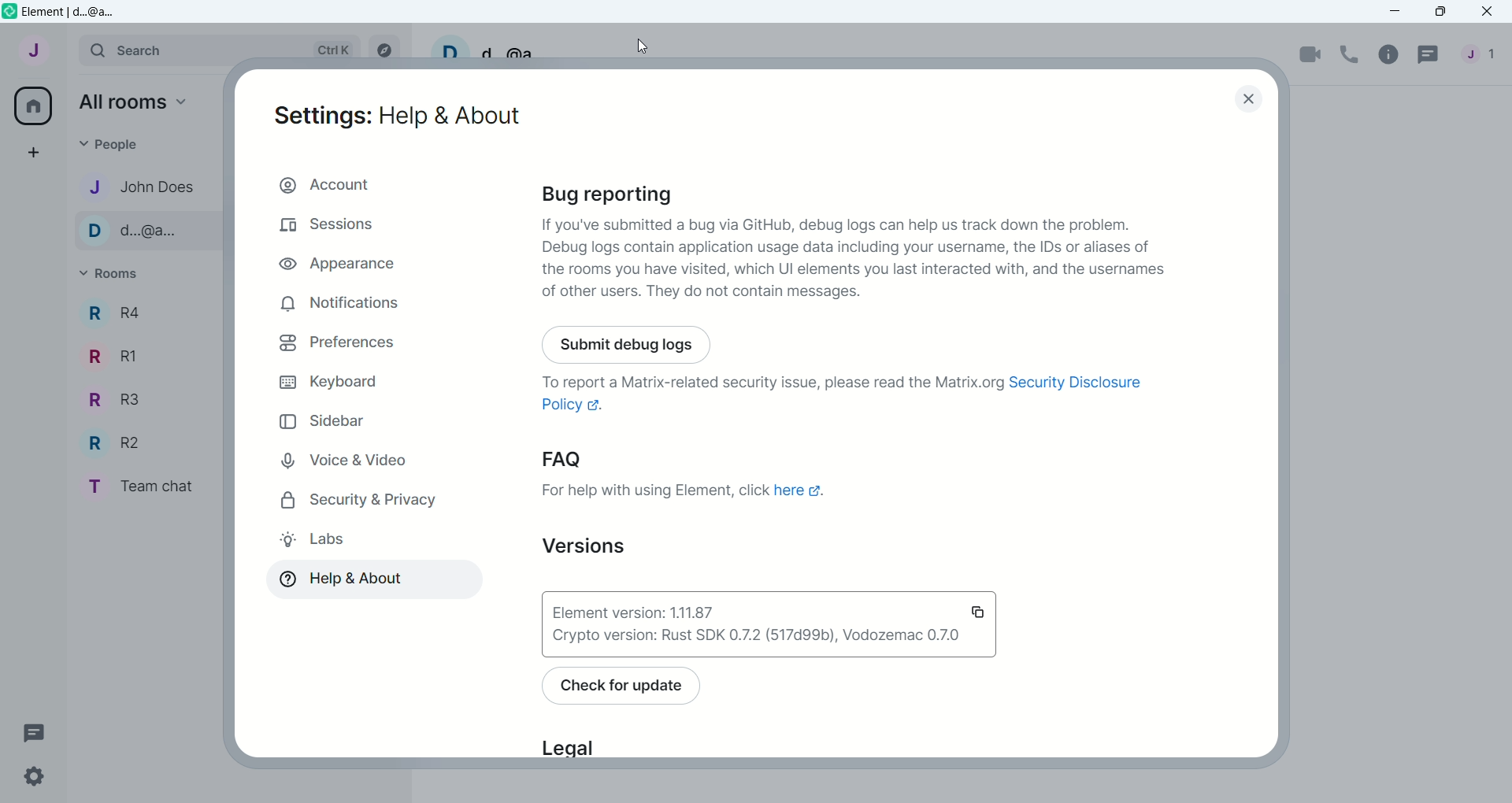 The image size is (1512, 803). Describe the element at coordinates (1428, 57) in the screenshot. I see `Threads` at that location.